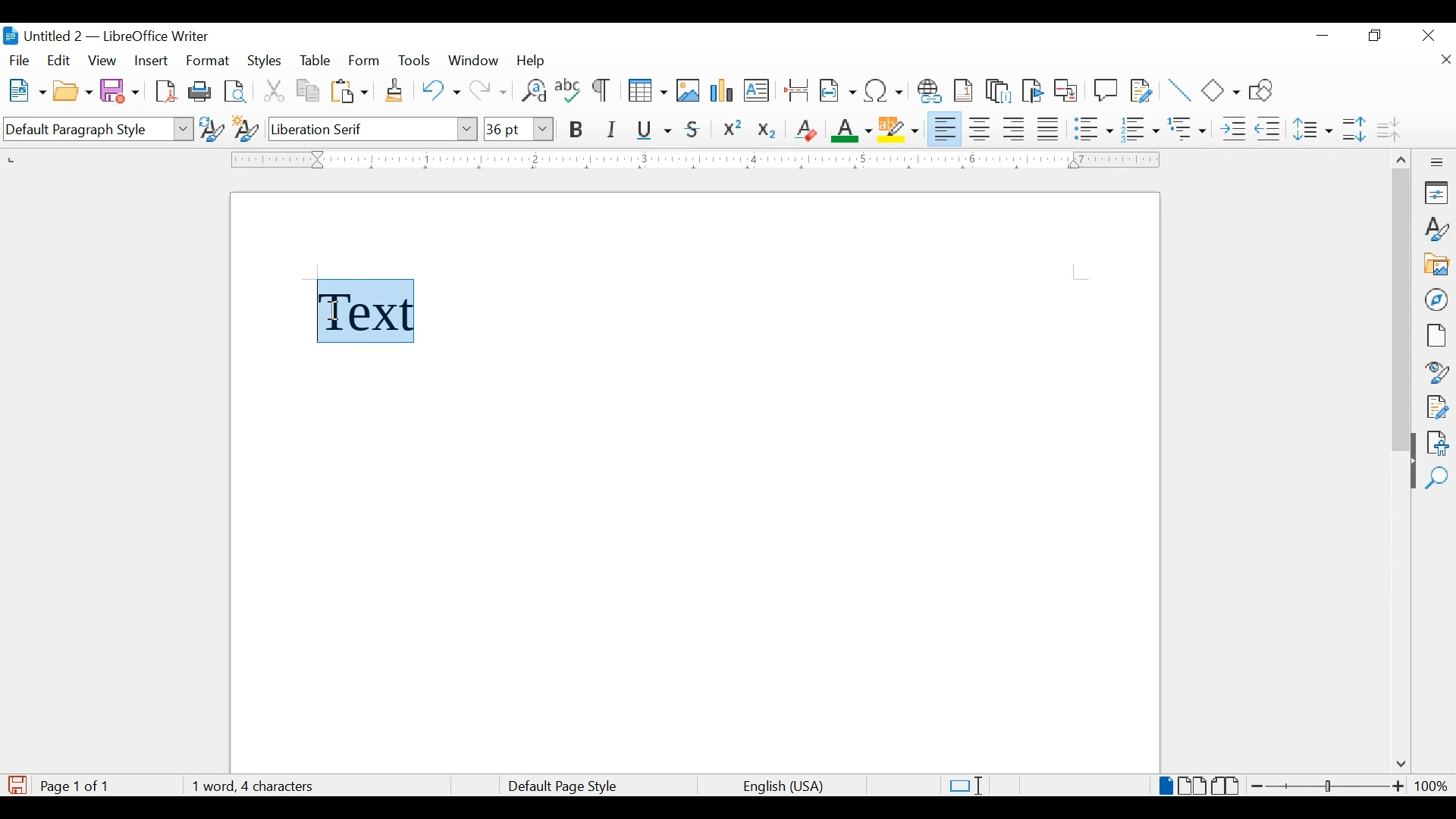  What do you see at coordinates (1445, 61) in the screenshot?
I see `close` at bounding box center [1445, 61].